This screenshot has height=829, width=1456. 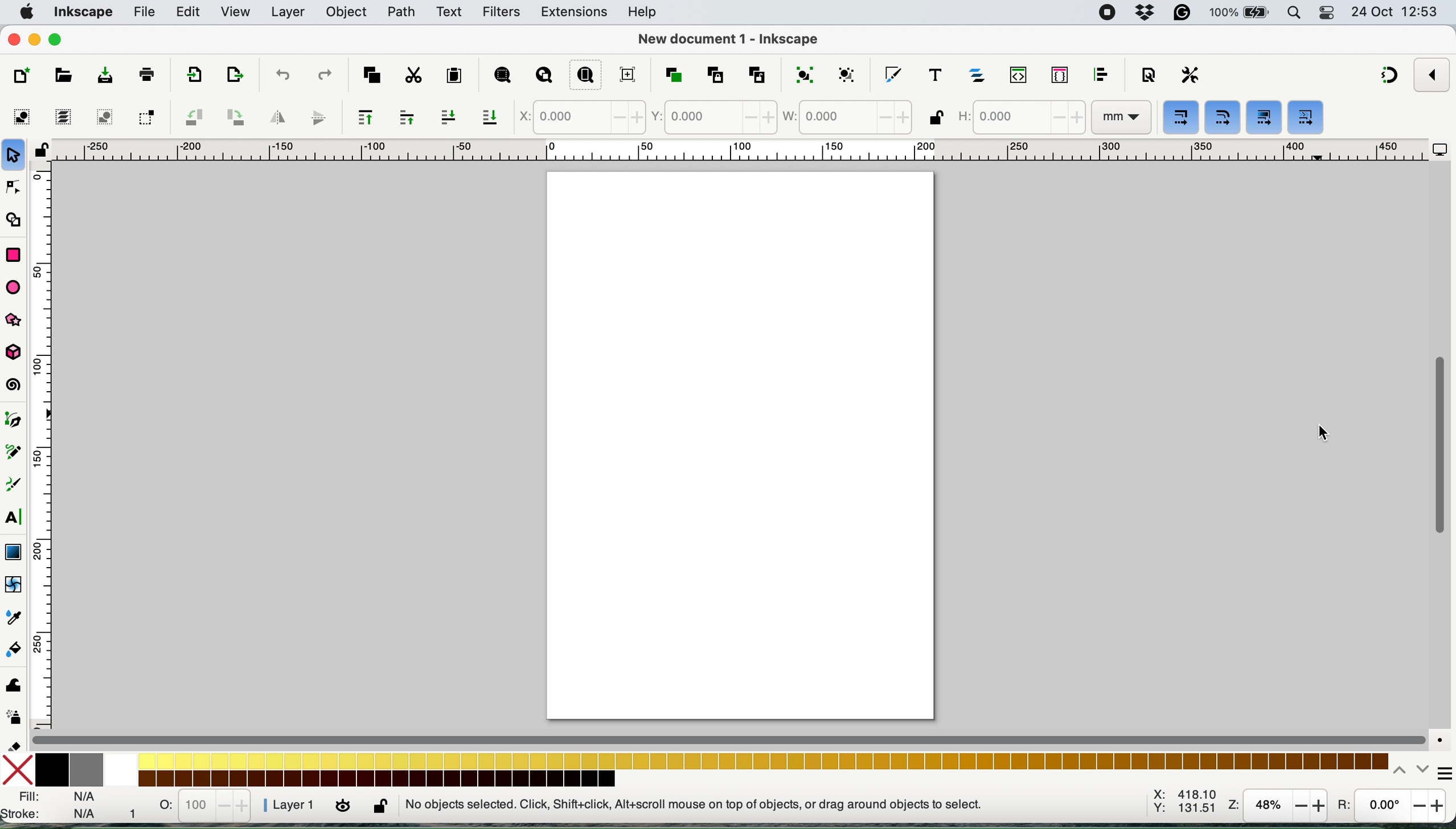 What do you see at coordinates (1385, 77) in the screenshot?
I see `snapping` at bounding box center [1385, 77].